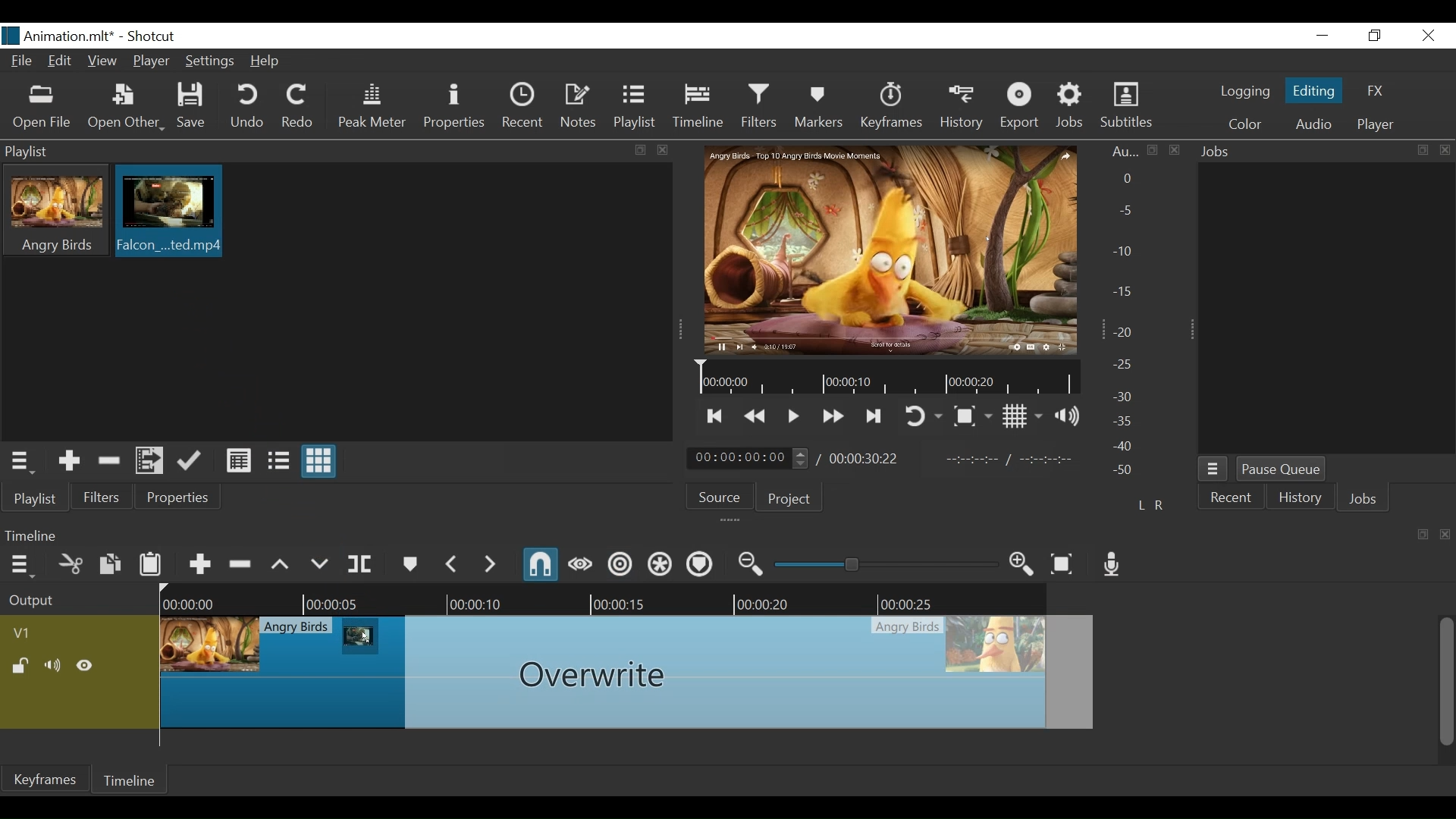  What do you see at coordinates (456, 108) in the screenshot?
I see `Properties` at bounding box center [456, 108].